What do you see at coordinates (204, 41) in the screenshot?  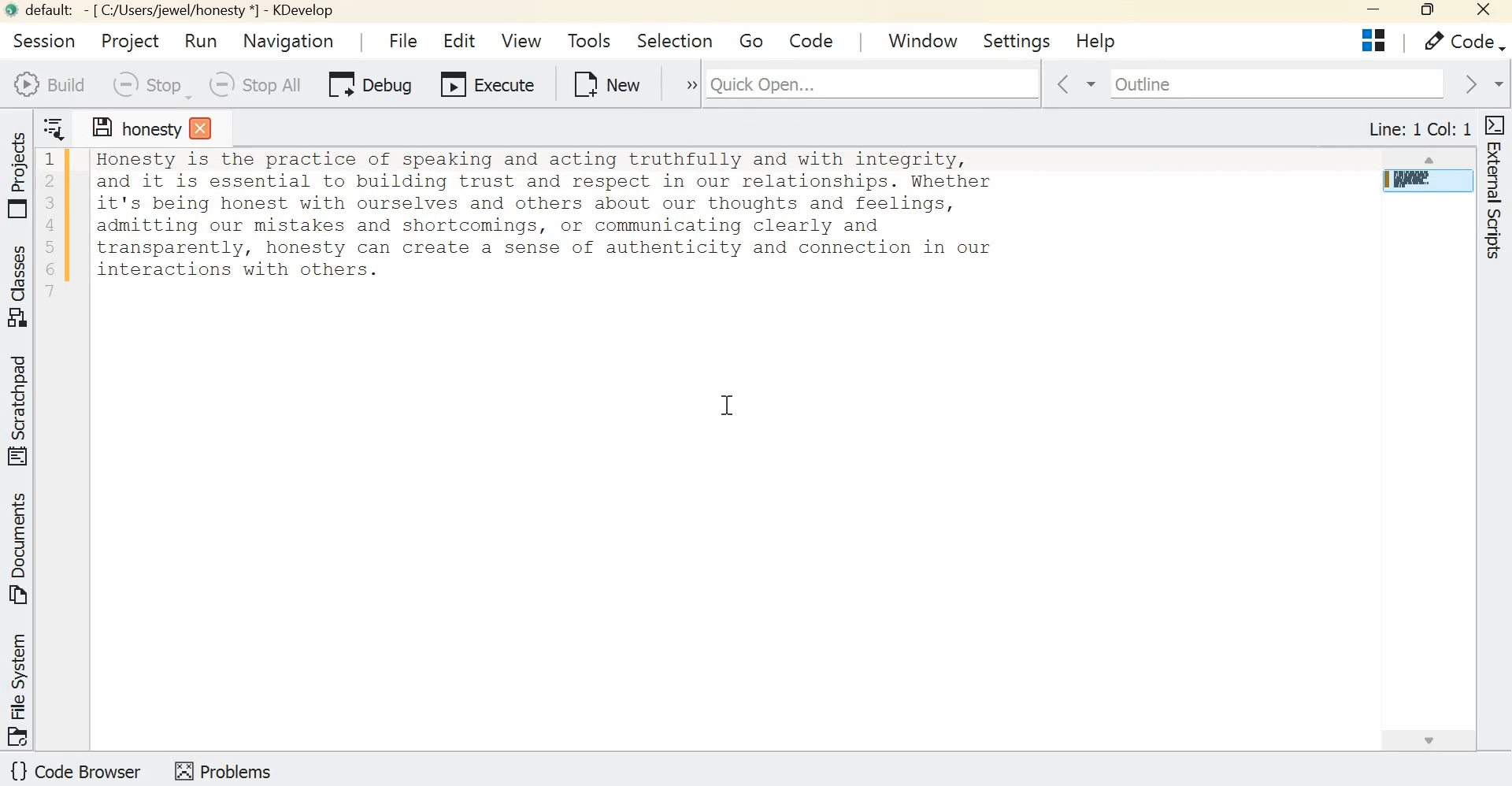 I see `Run` at bounding box center [204, 41].